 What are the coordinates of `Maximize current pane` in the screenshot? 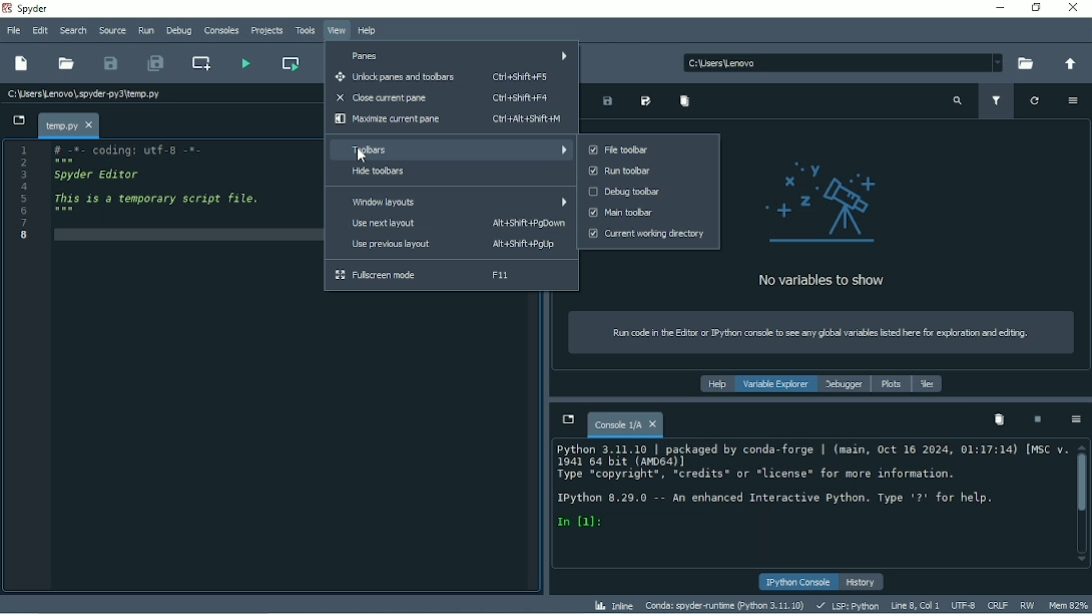 It's located at (449, 119).